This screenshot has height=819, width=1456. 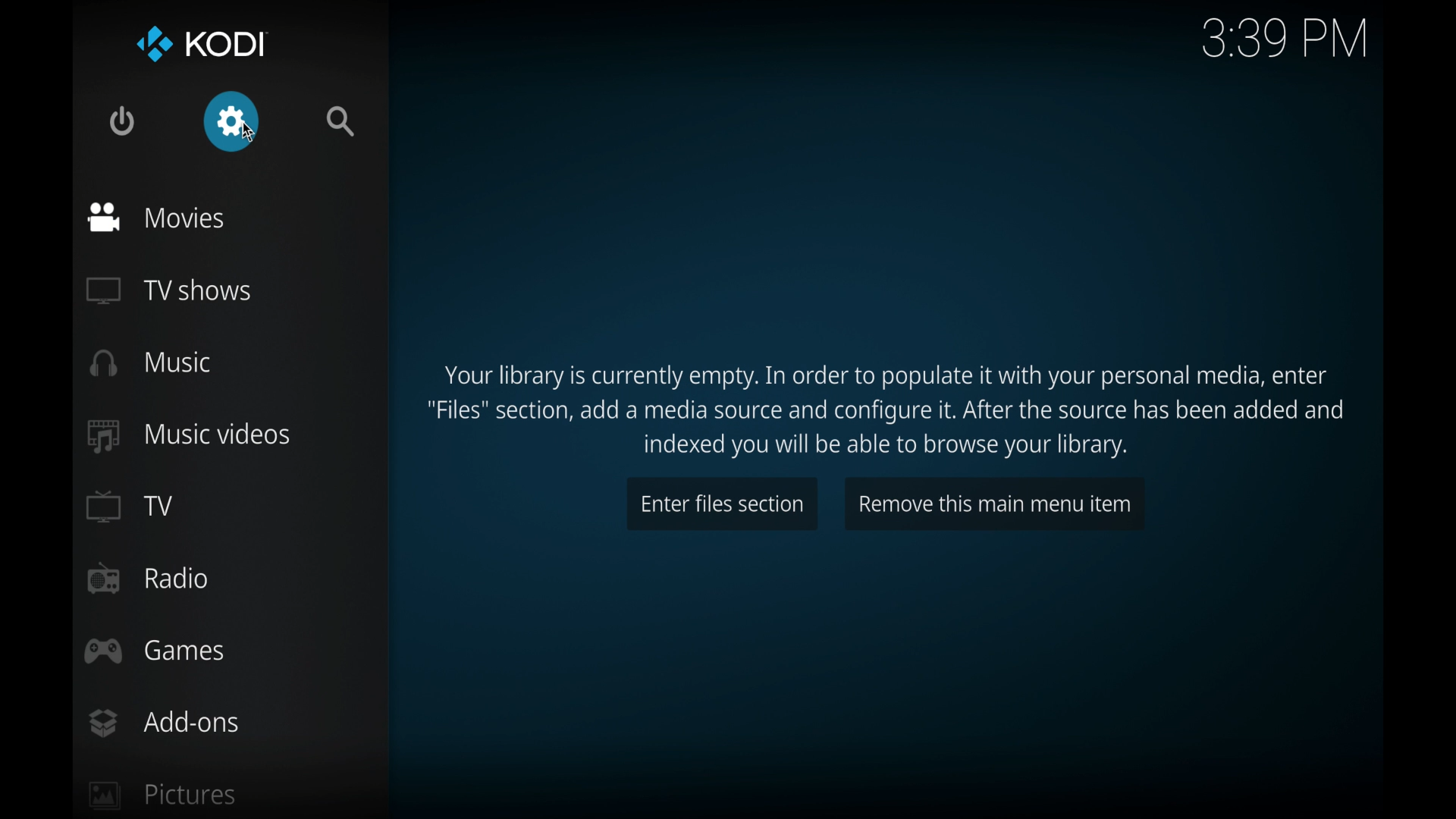 What do you see at coordinates (203, 43) in the screenshot?
I see `kodi` at bounding box center [203, 43].